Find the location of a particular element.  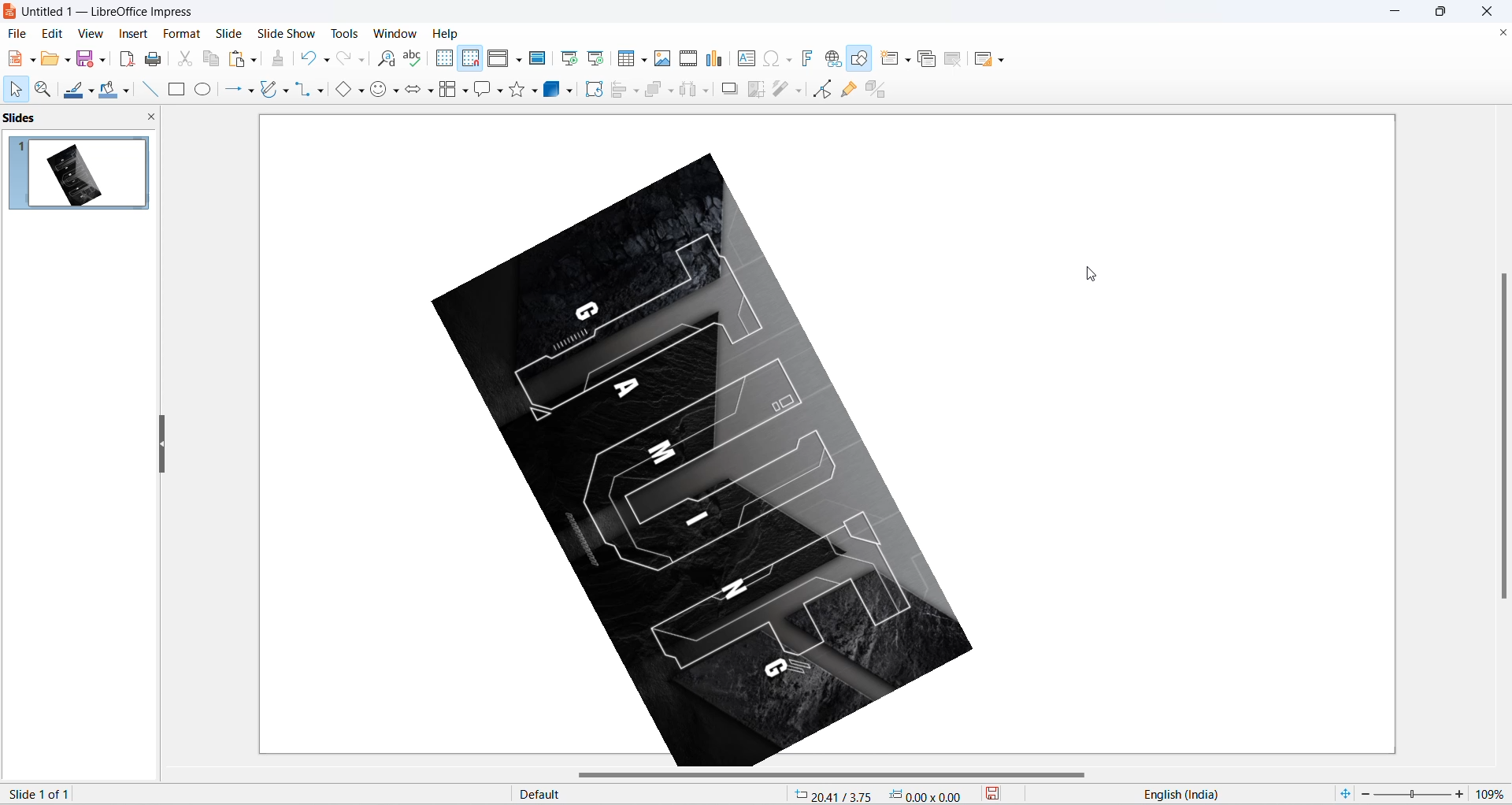

cursor is located at coordinates (594, 84).